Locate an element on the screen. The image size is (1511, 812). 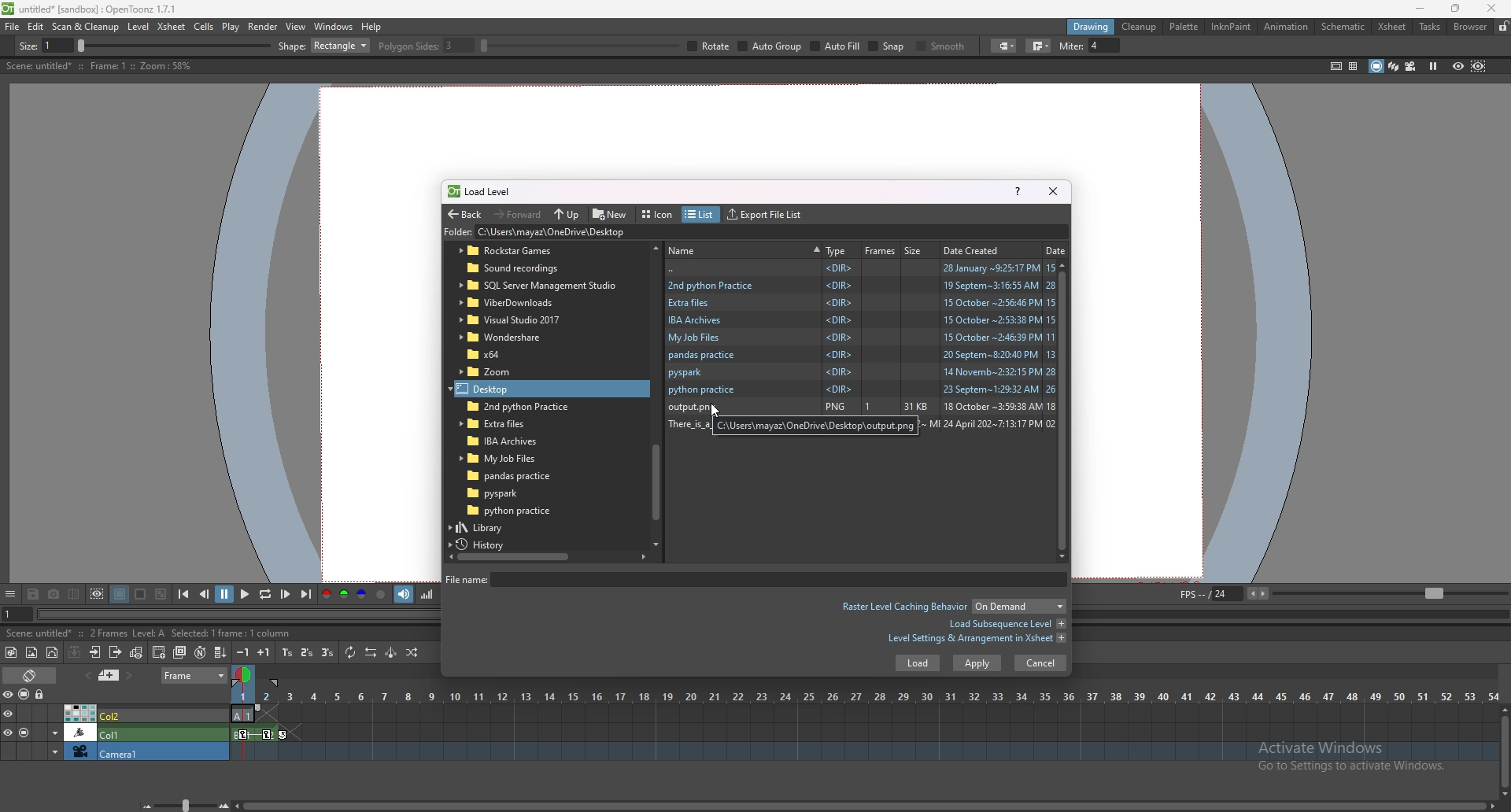
cancel is located at coordinates (1040, 663).